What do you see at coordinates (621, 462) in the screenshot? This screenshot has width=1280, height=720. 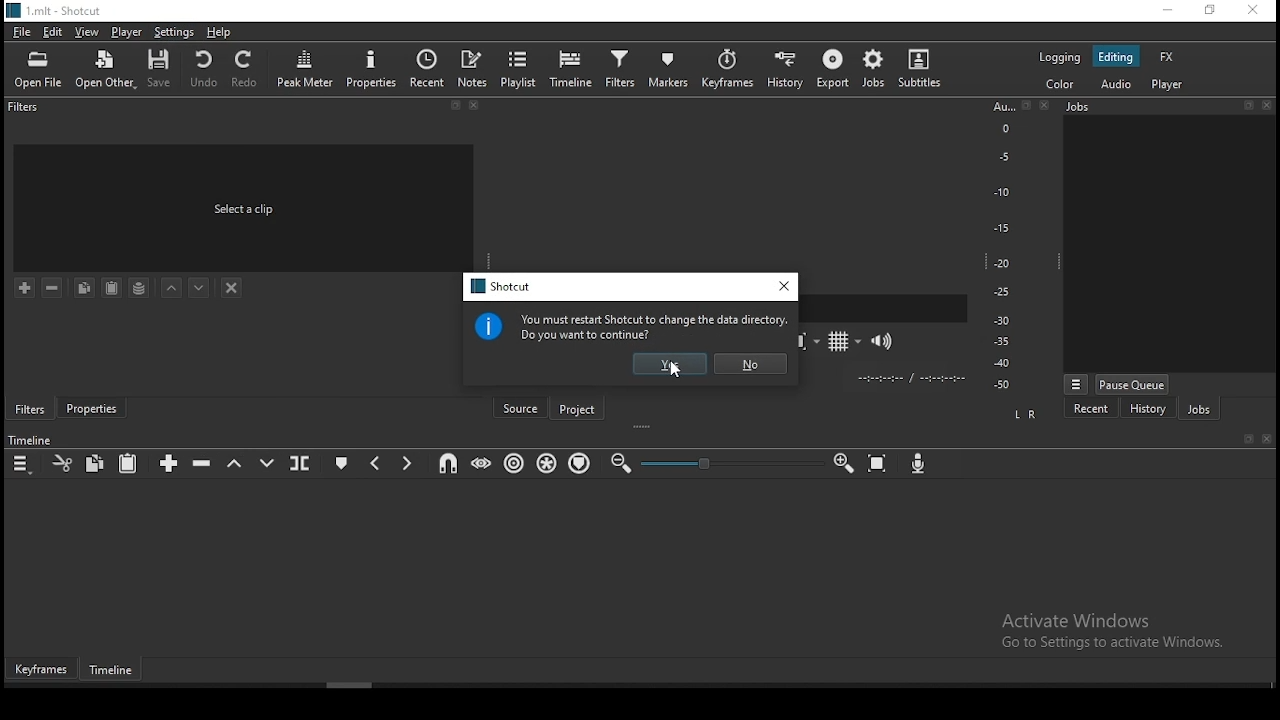 I see `zoom timeline out` at bounding box center [621, 462].